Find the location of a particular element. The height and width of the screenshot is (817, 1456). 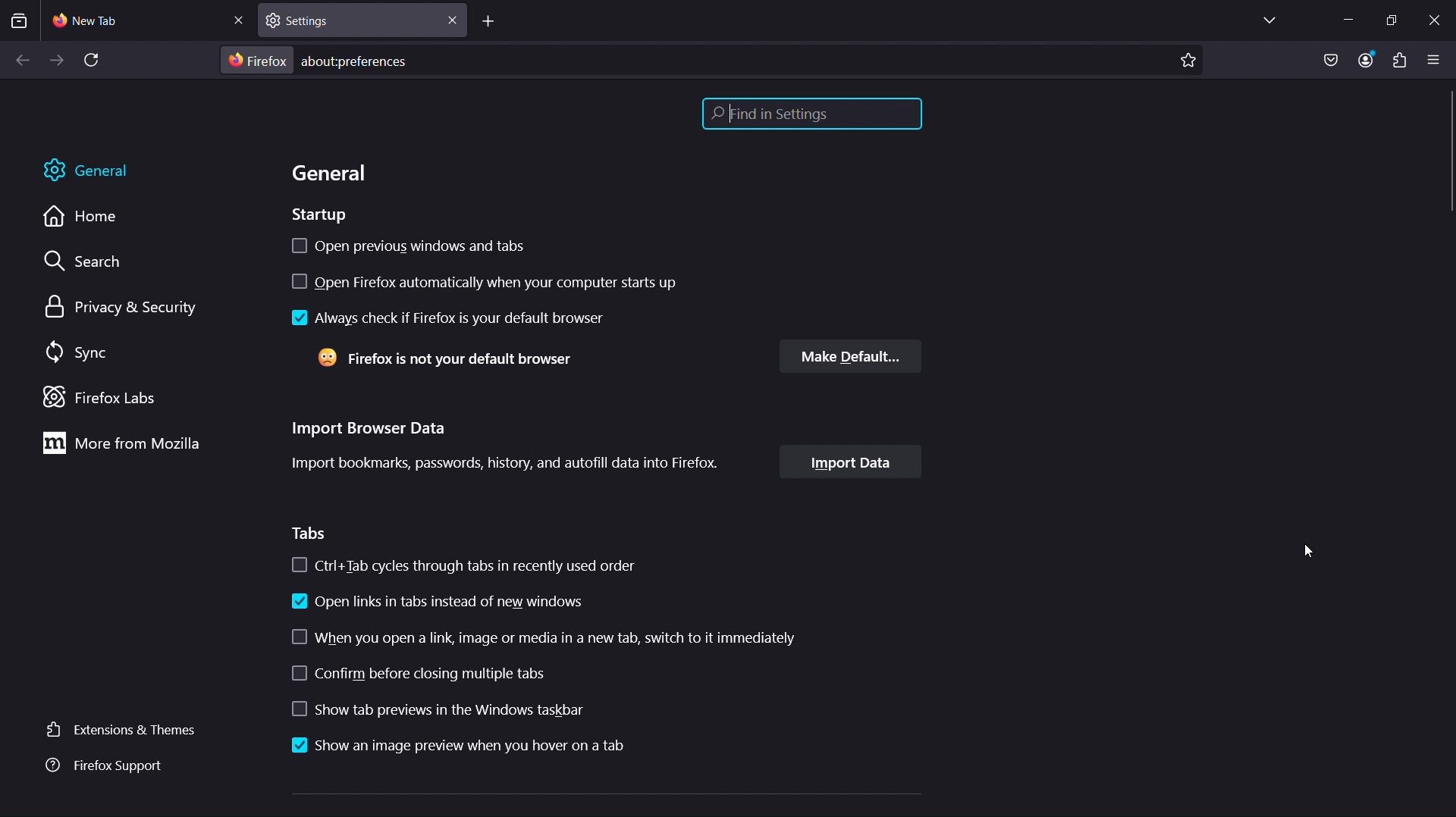

General is located at coordinates (325, 174).